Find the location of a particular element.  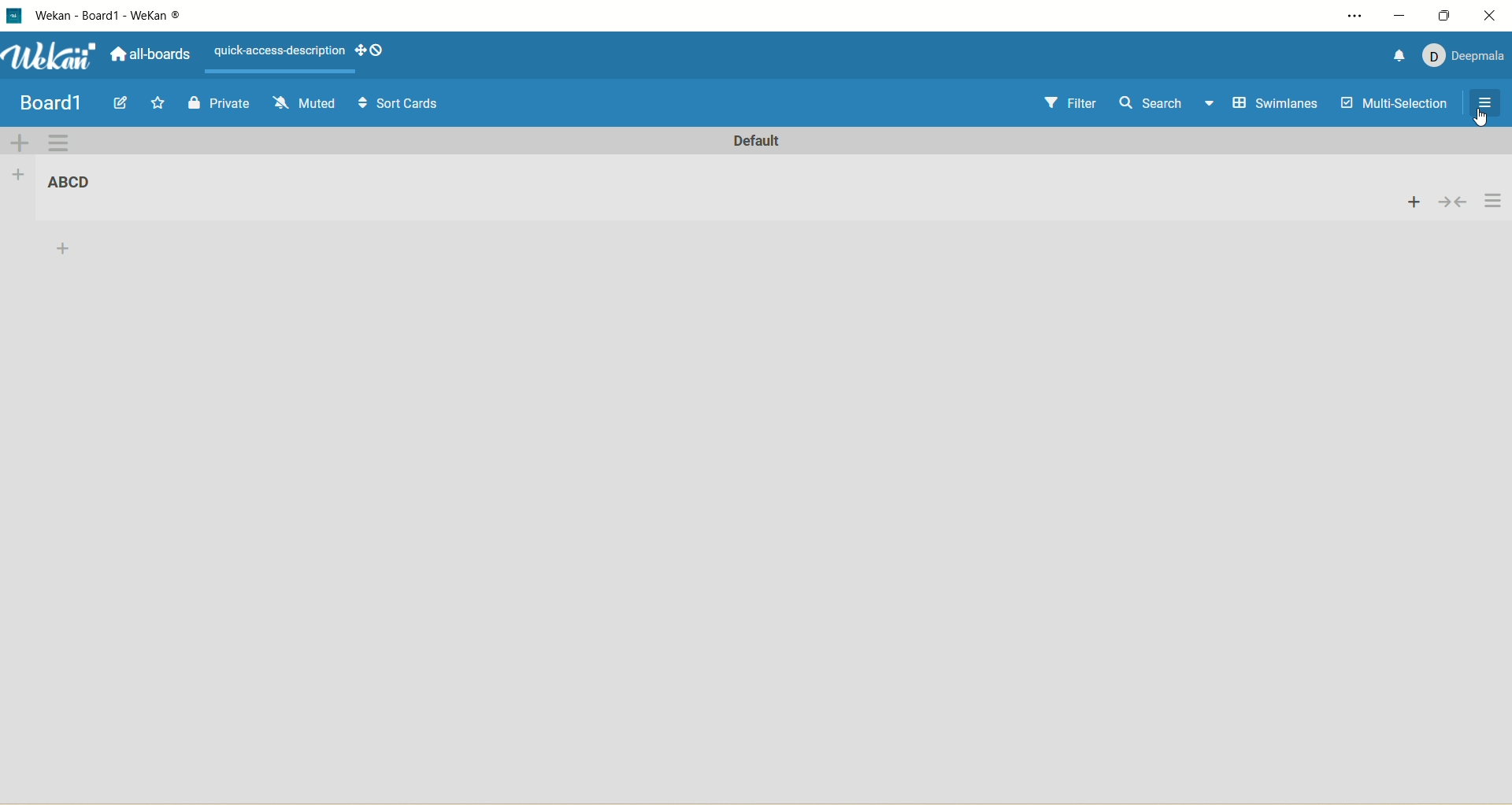

close is located at coordinates (1490, 18).